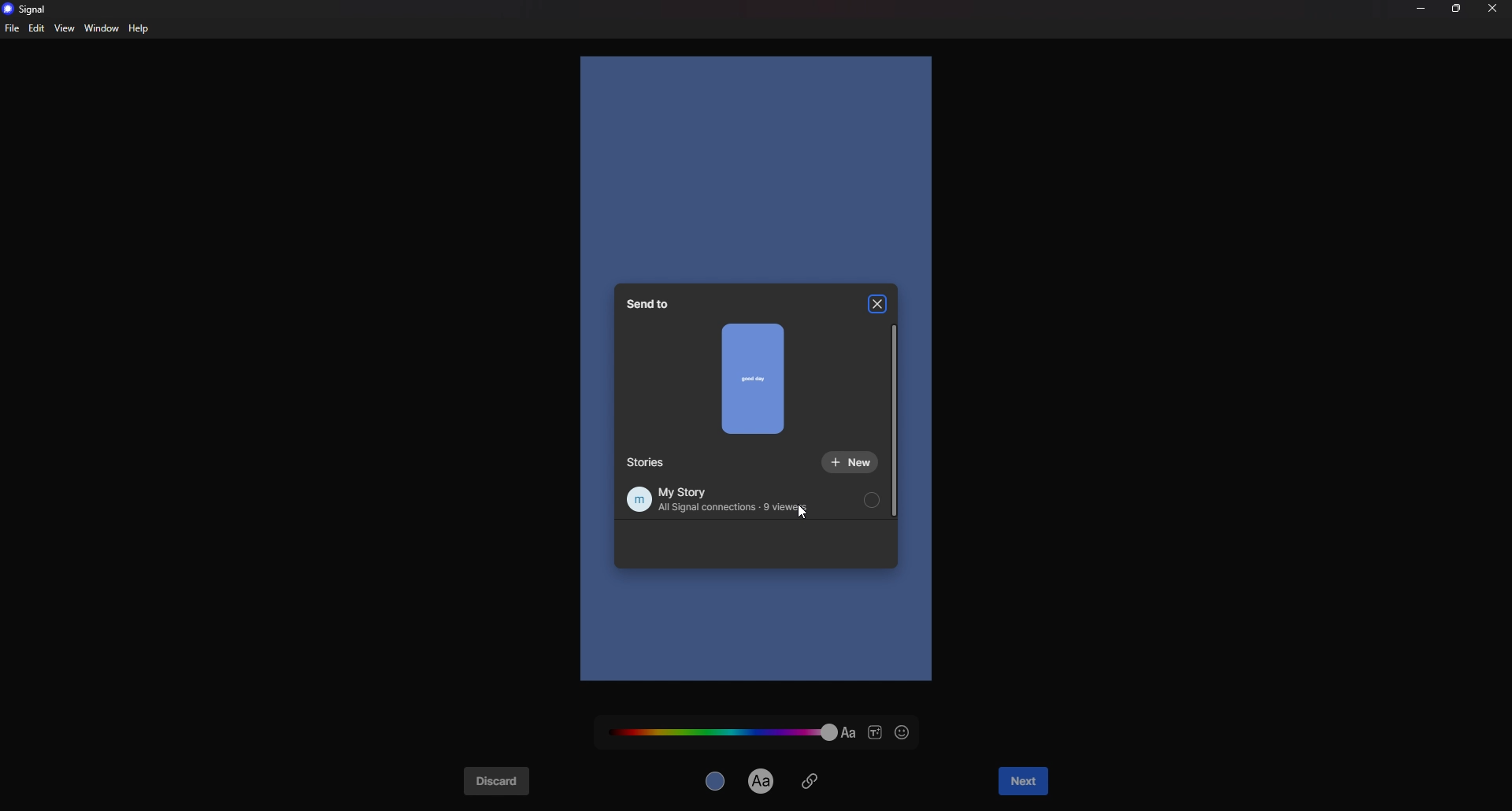 The image size is (1512, 811). What do you see at coordinates (877, 304) in the screenshot?
I see `close` at bounding box center [877, 304].